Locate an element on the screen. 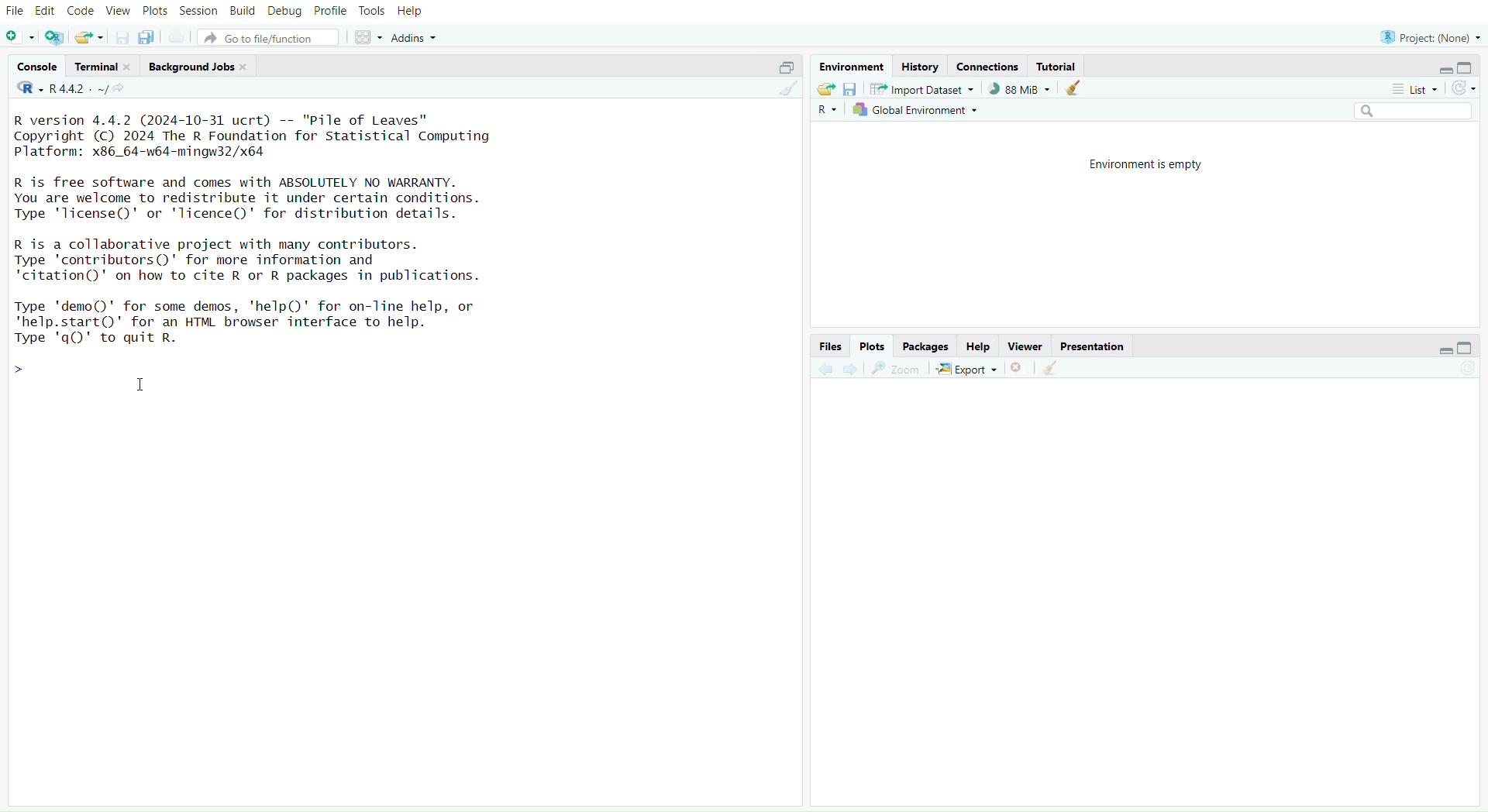 Image resolution: width=1488 pixels, height=812 pixels. import dataset is located at coordinates (921, 89).